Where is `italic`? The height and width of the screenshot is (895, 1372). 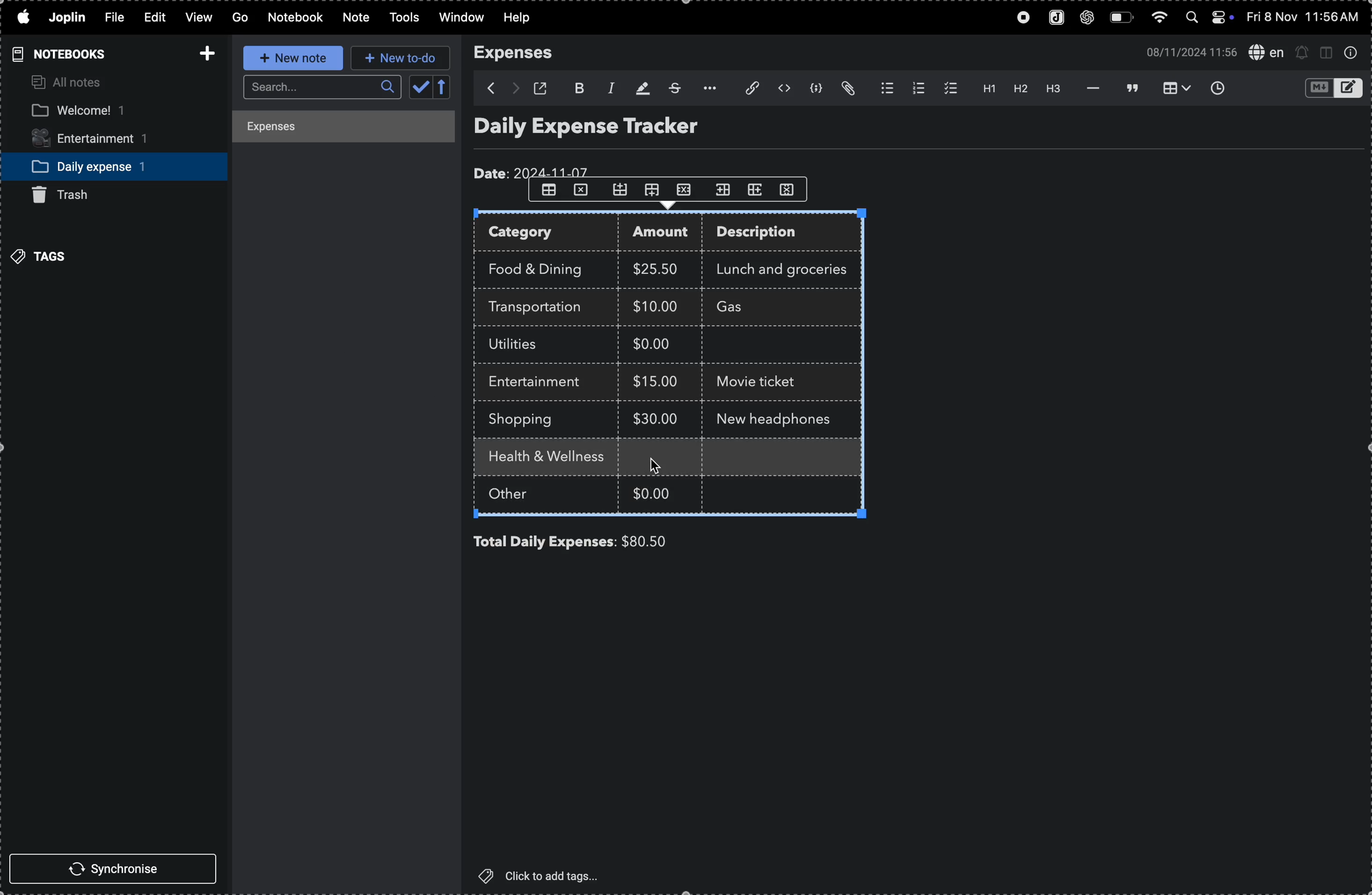 italic is located at coordinates (608, 87).